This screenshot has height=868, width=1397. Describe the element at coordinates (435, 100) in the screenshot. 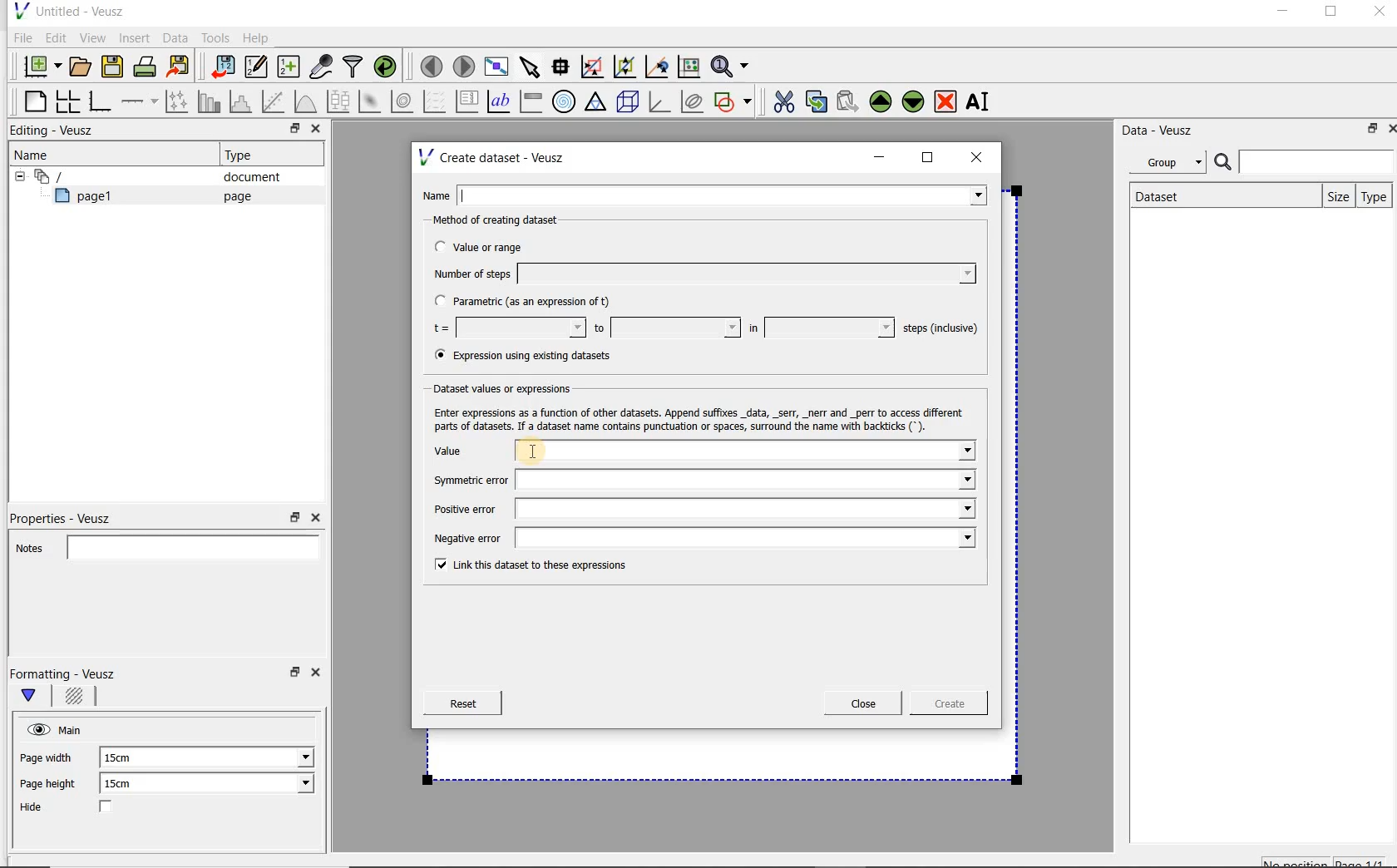

I see `plot a vector field` at that location.